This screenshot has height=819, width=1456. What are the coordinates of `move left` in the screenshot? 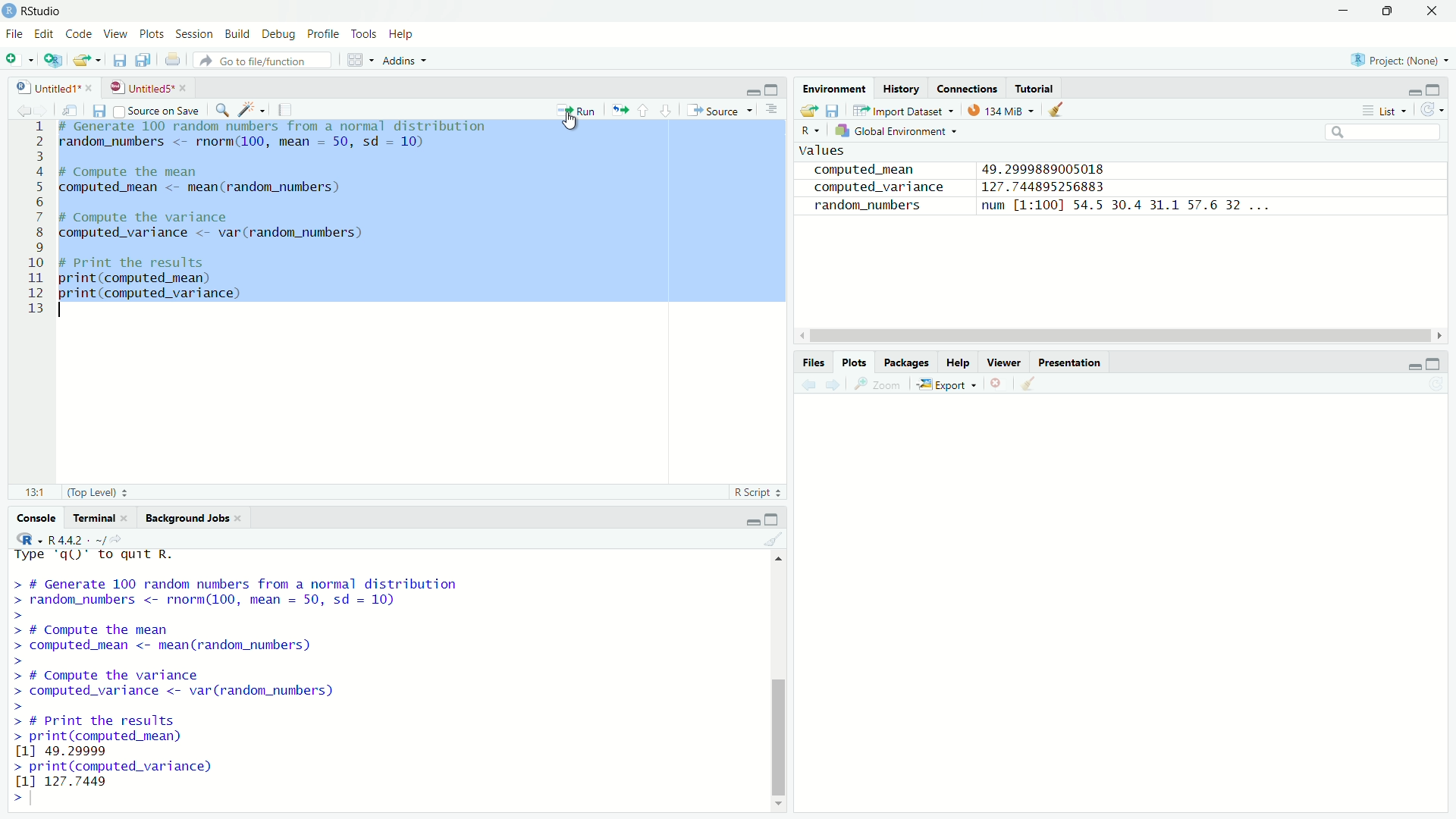 It's located at (802, 336).